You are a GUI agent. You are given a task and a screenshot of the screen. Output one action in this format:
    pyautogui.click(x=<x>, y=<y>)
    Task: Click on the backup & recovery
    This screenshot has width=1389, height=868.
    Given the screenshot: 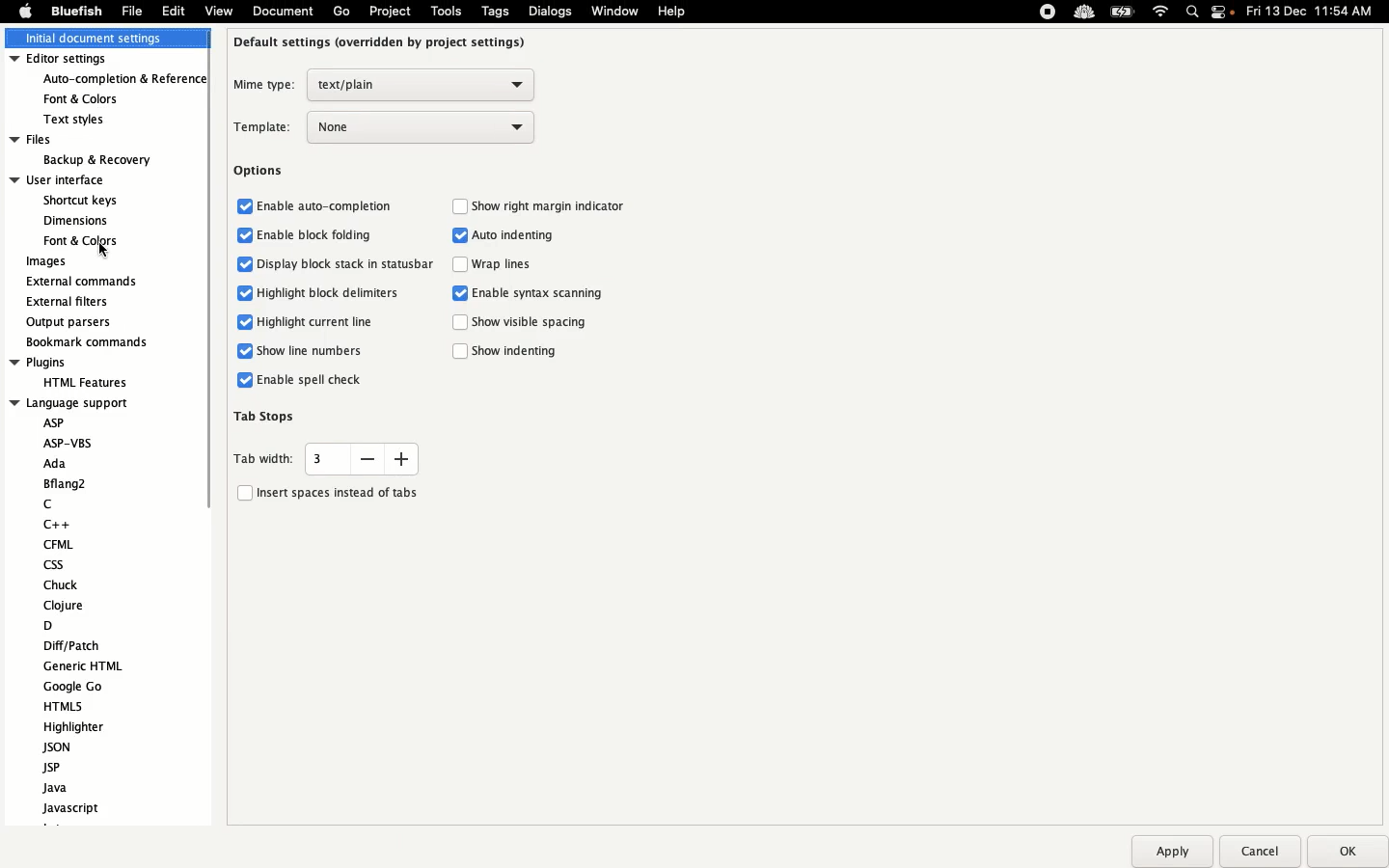 What is the action you would take?
    pyautogui.click(x=95, y=160)
    